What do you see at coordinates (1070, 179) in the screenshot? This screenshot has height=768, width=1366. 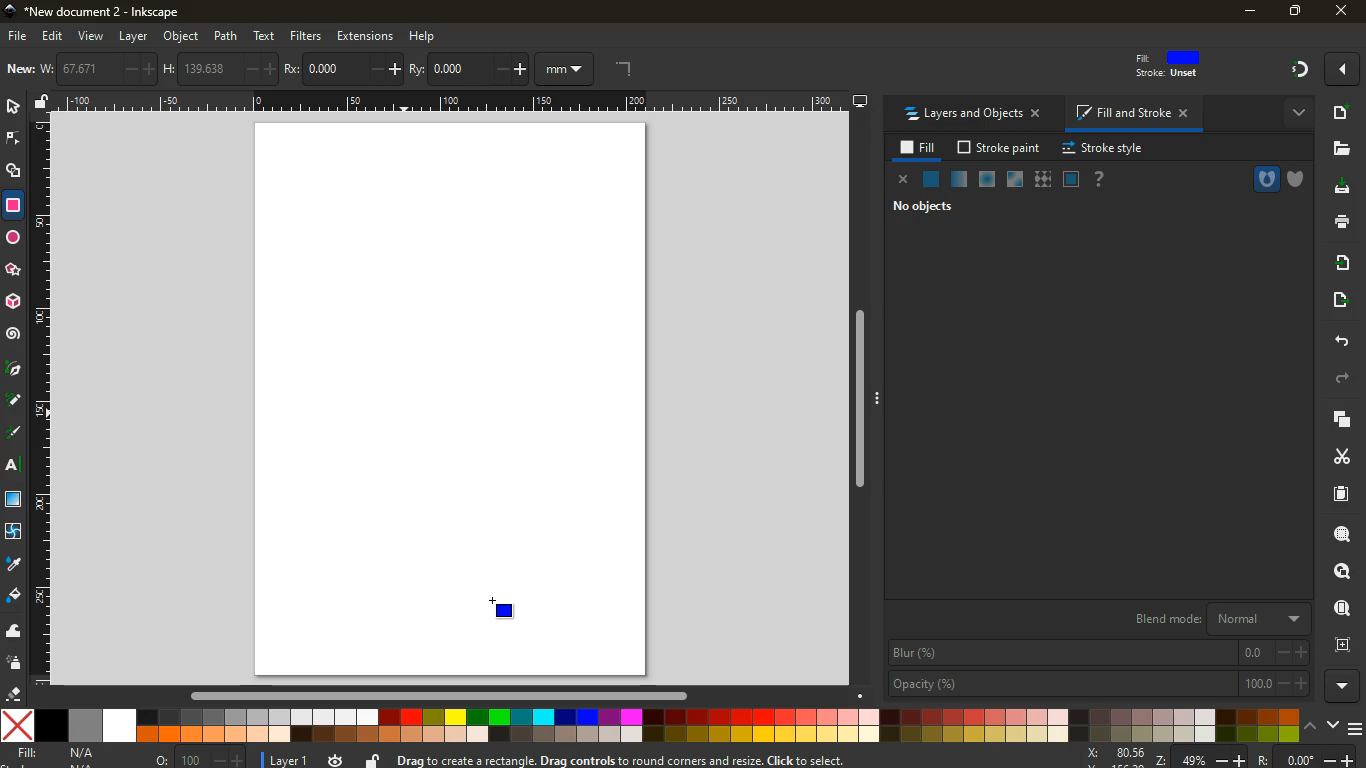 I see `glass` at bounding box center [1070, 179].